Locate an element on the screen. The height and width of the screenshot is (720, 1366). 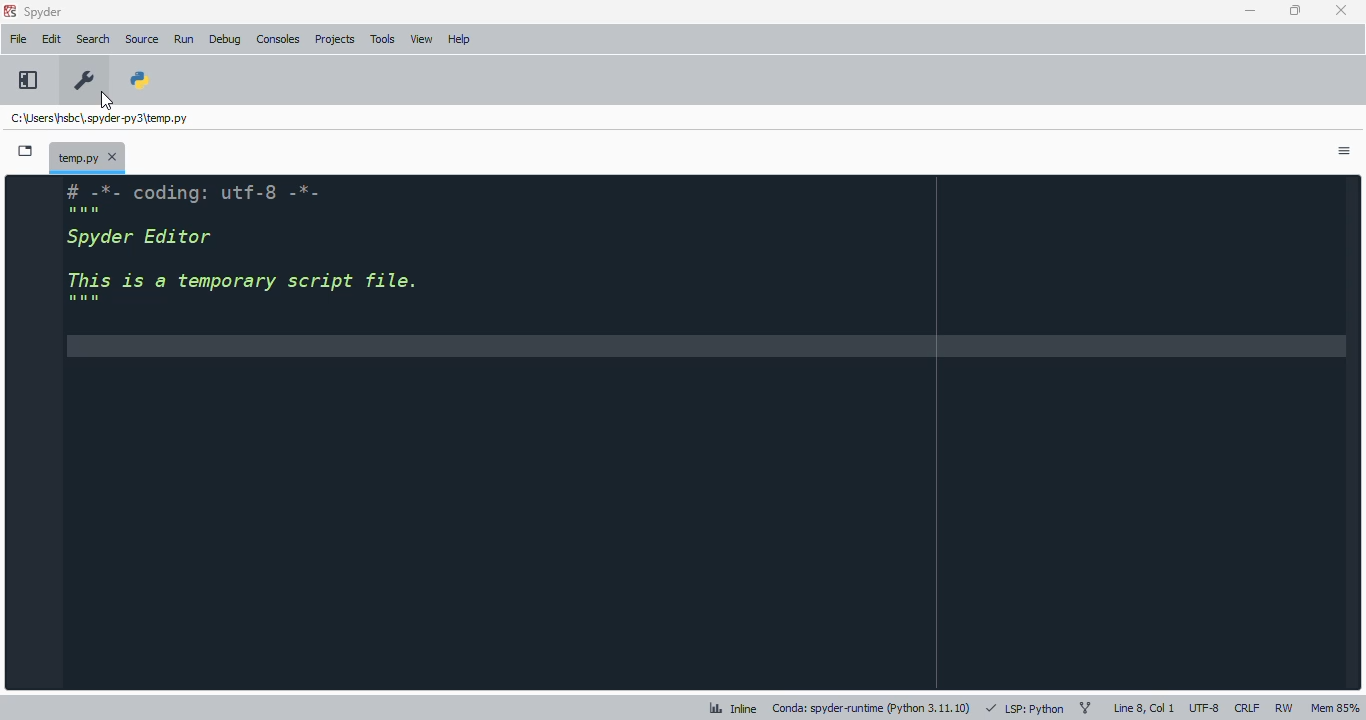
temporary file is located at coordinates (88, 156).